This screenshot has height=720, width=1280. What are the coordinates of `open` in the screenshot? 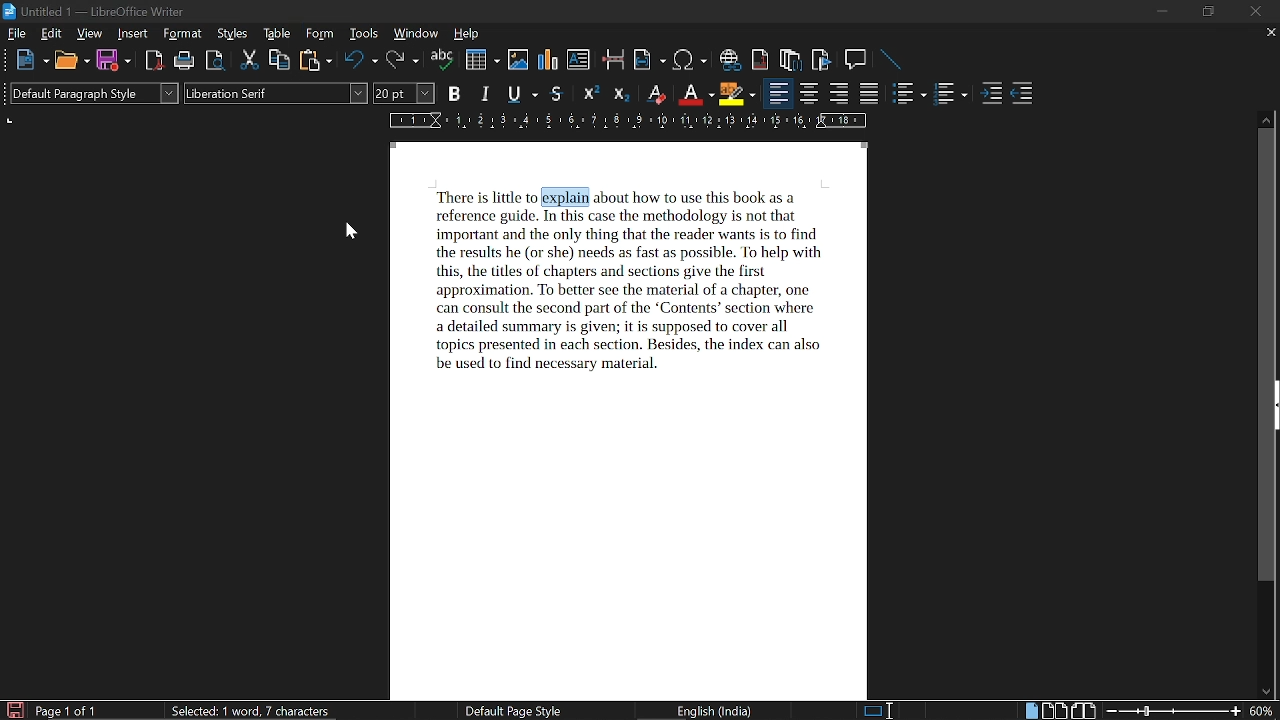 It's located at (71, 61).